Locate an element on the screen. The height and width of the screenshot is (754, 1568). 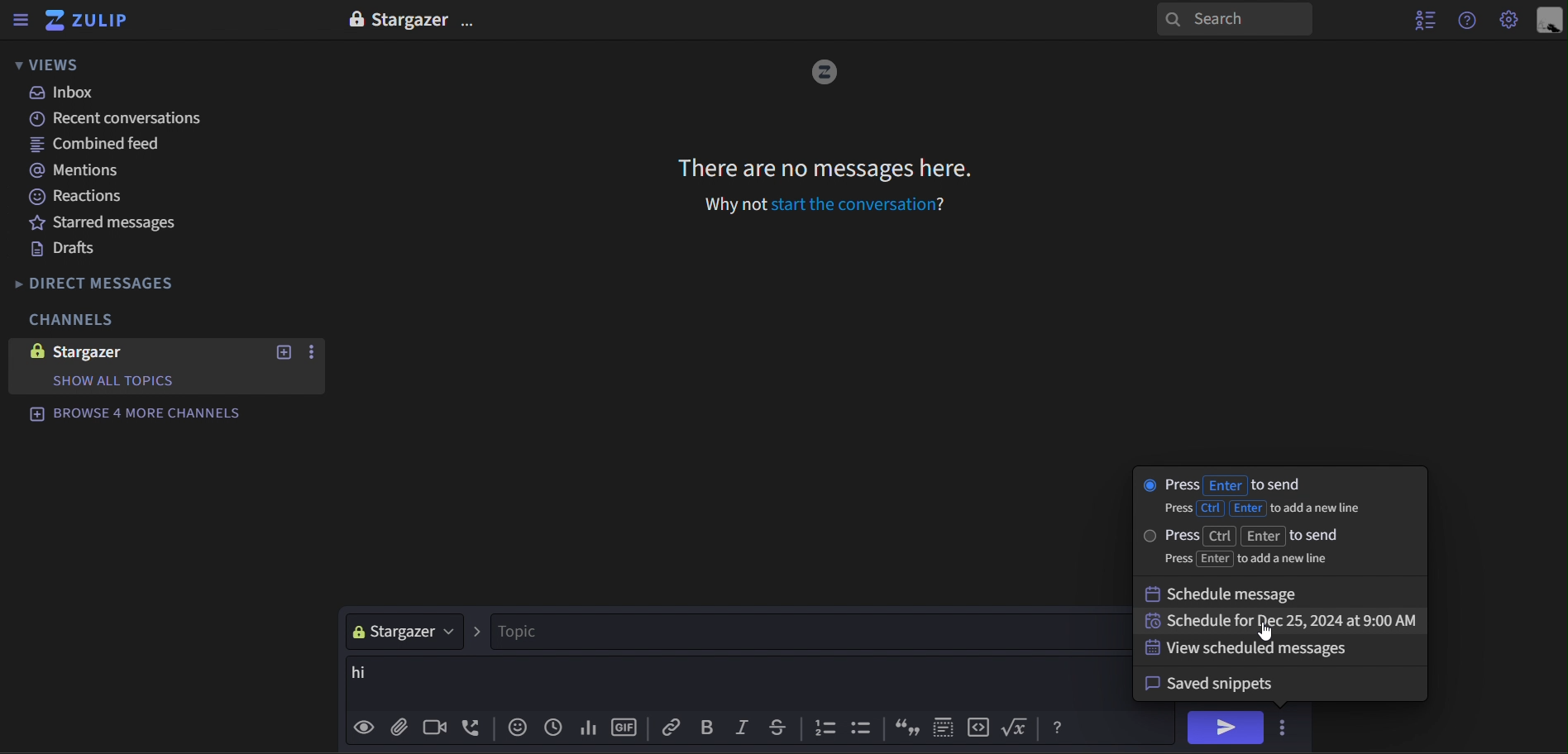
function is located at coordinates (1021, 725).